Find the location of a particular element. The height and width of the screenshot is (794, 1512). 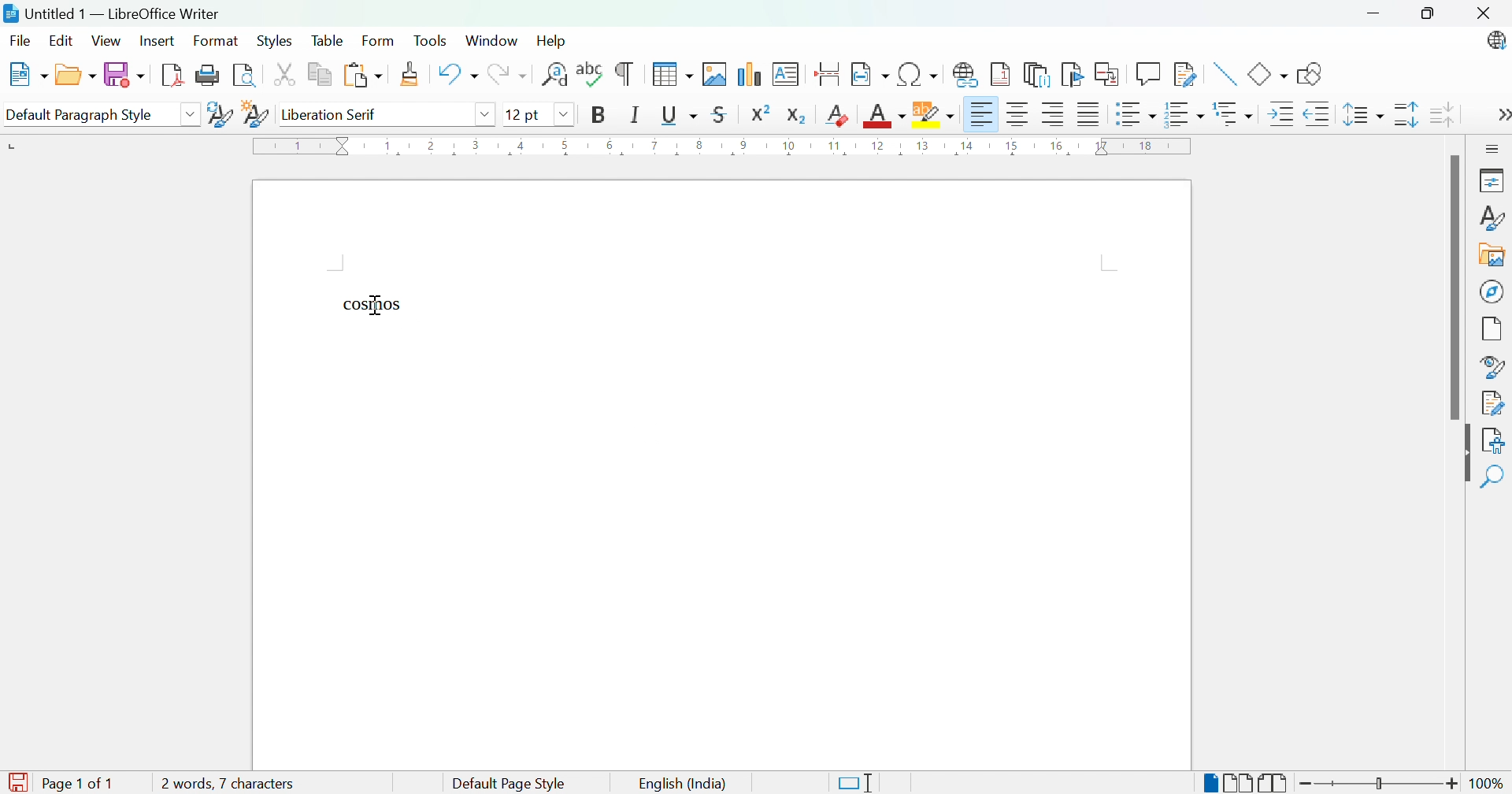

Insert text box is located at coordinates (784, 74).